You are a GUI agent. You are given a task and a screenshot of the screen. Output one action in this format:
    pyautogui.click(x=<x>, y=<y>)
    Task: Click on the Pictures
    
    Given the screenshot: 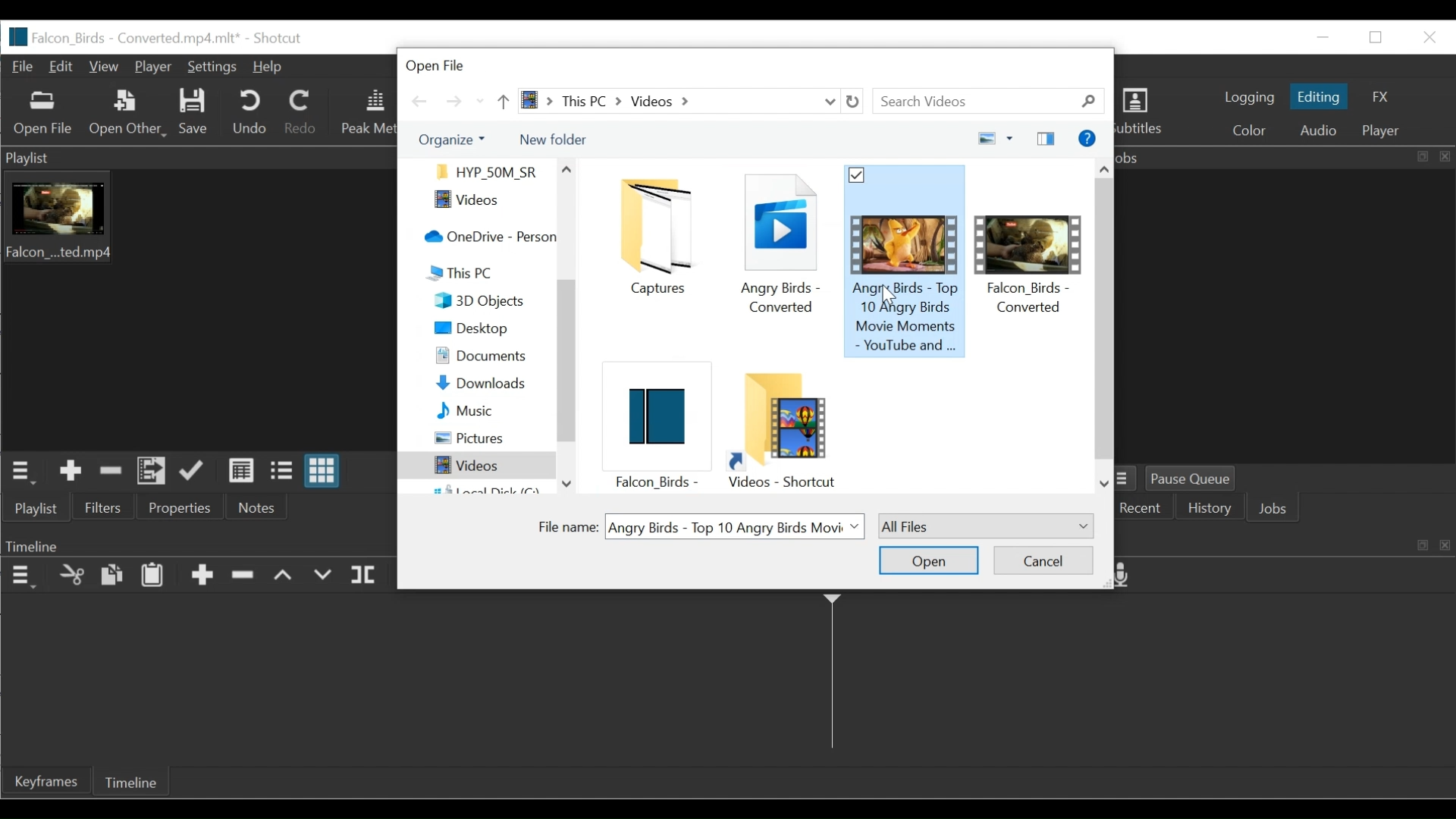 What is the action you would take?
    pyautogui.click(x=481, y=438)
    